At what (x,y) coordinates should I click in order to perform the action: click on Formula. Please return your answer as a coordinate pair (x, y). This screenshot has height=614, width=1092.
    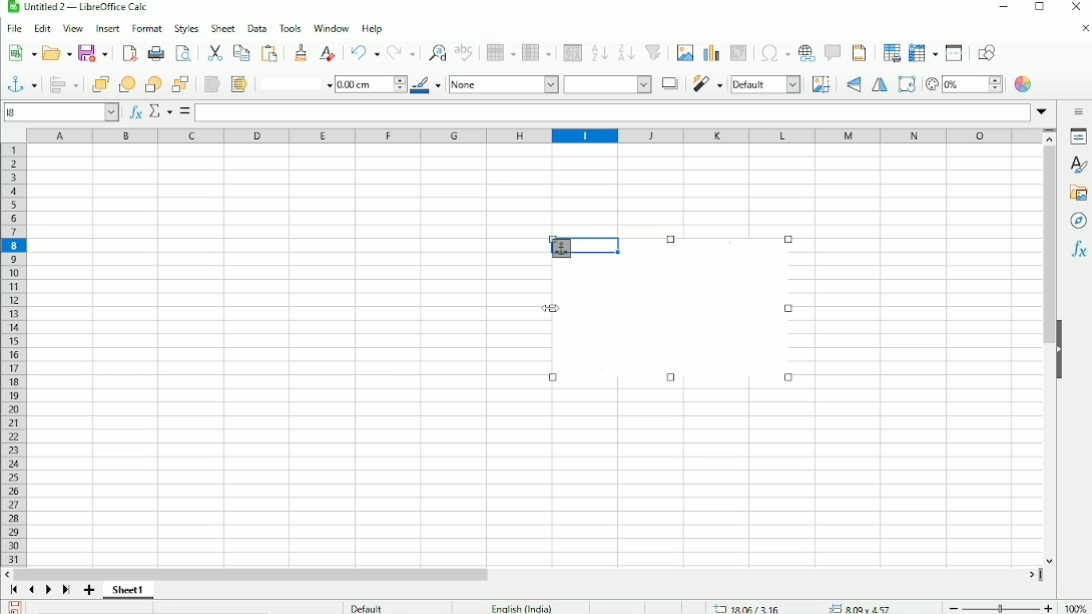
    Looking at the image, I should click on (185, 112).